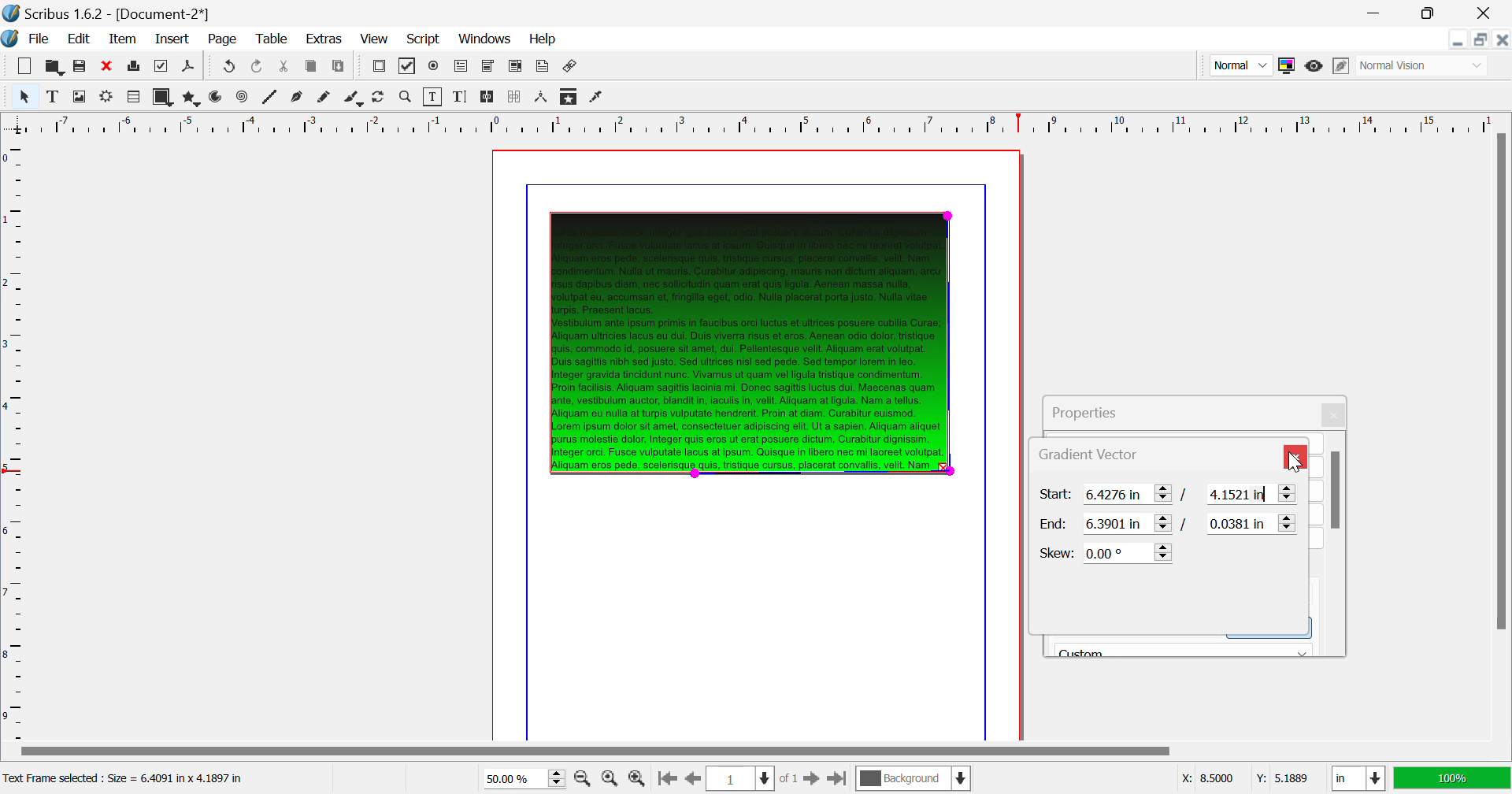 The height and width of the screenshot is (794, 1512). What do you see at coordinates (382, 98) in the screenshot?
I see `Page Rotation` at bounding box center [382, 98].